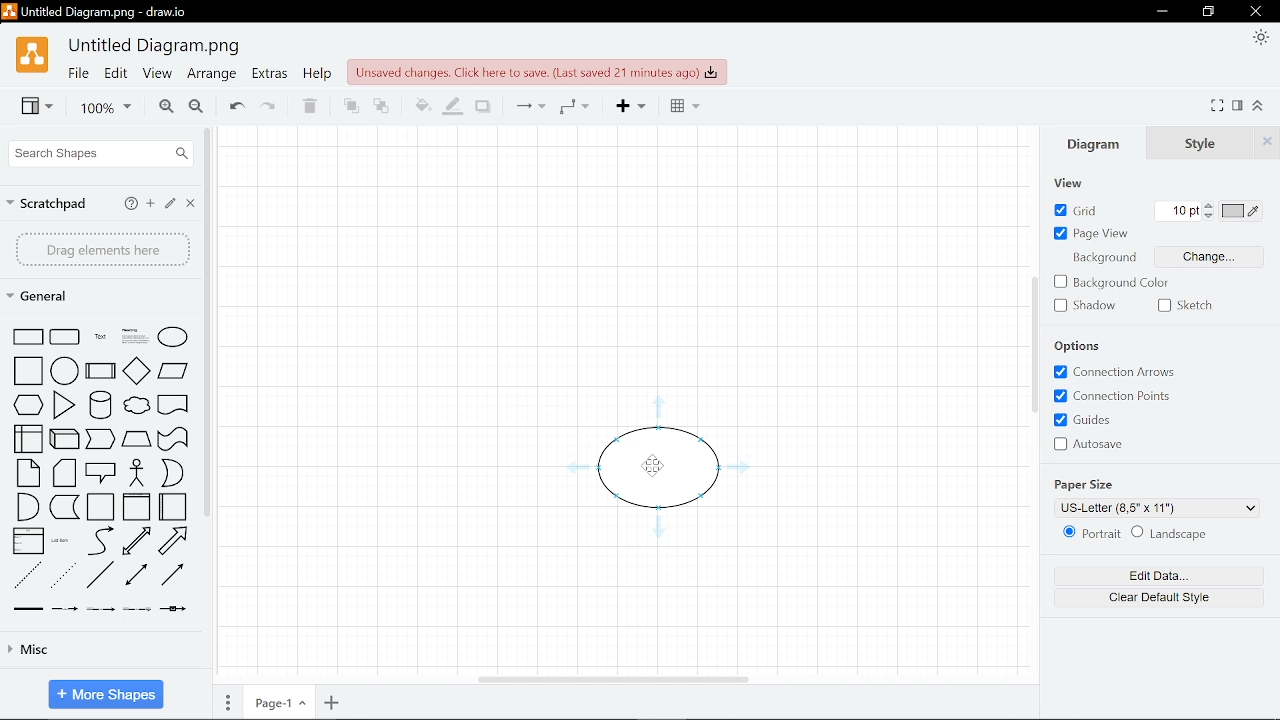 This screenshot has width=1280, height=720. Describe the element at coordinates (1242, 211) in the screenshot. I see `Grid color` at that location.